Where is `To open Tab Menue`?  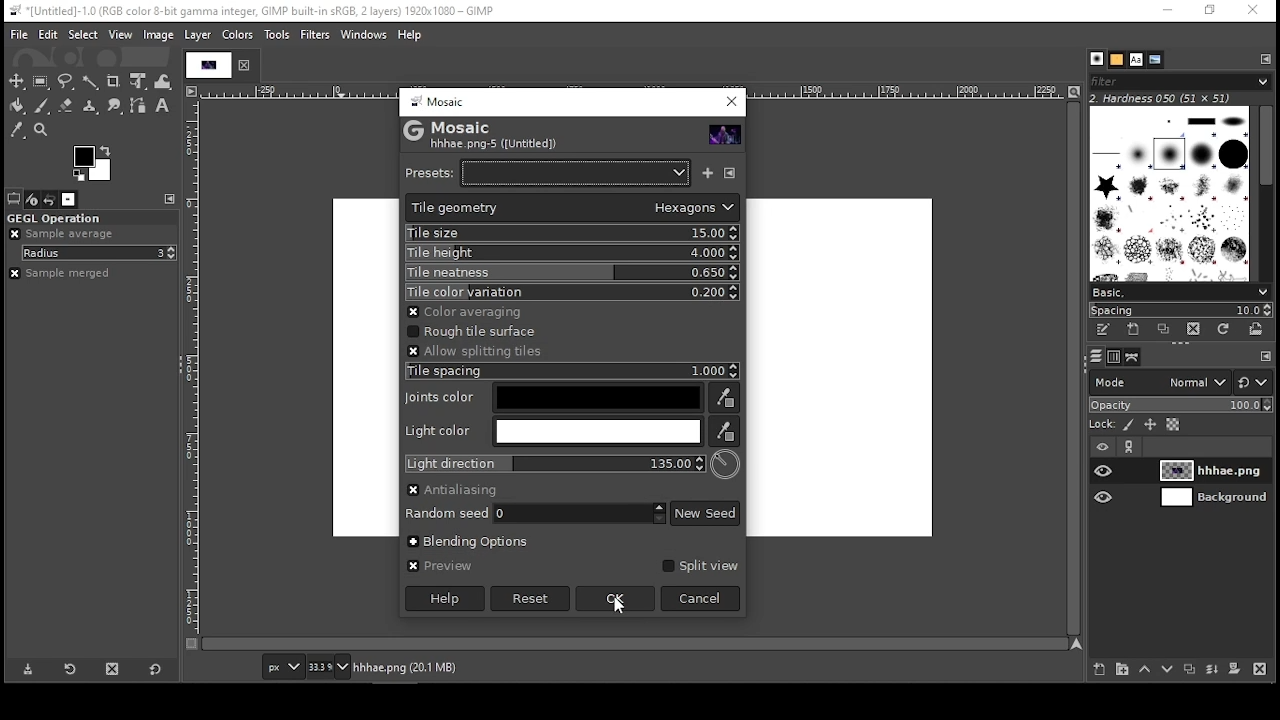 To open Tab Menue is located at coordinates (1265, 59).